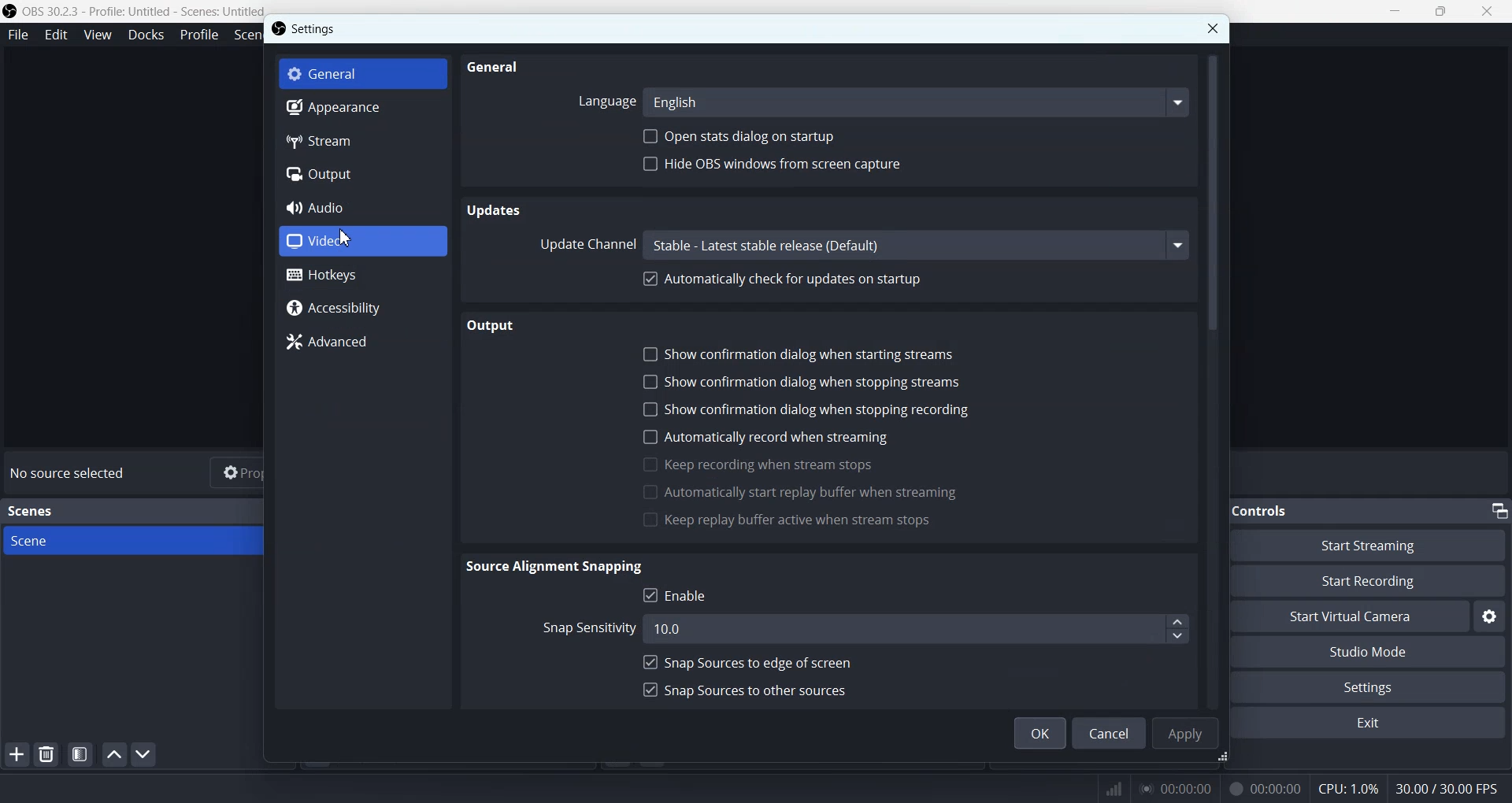 The image size is (1512, 803). Describe the element at coordinates (362, 207) in the screenshot. I see `Audio` at that location.